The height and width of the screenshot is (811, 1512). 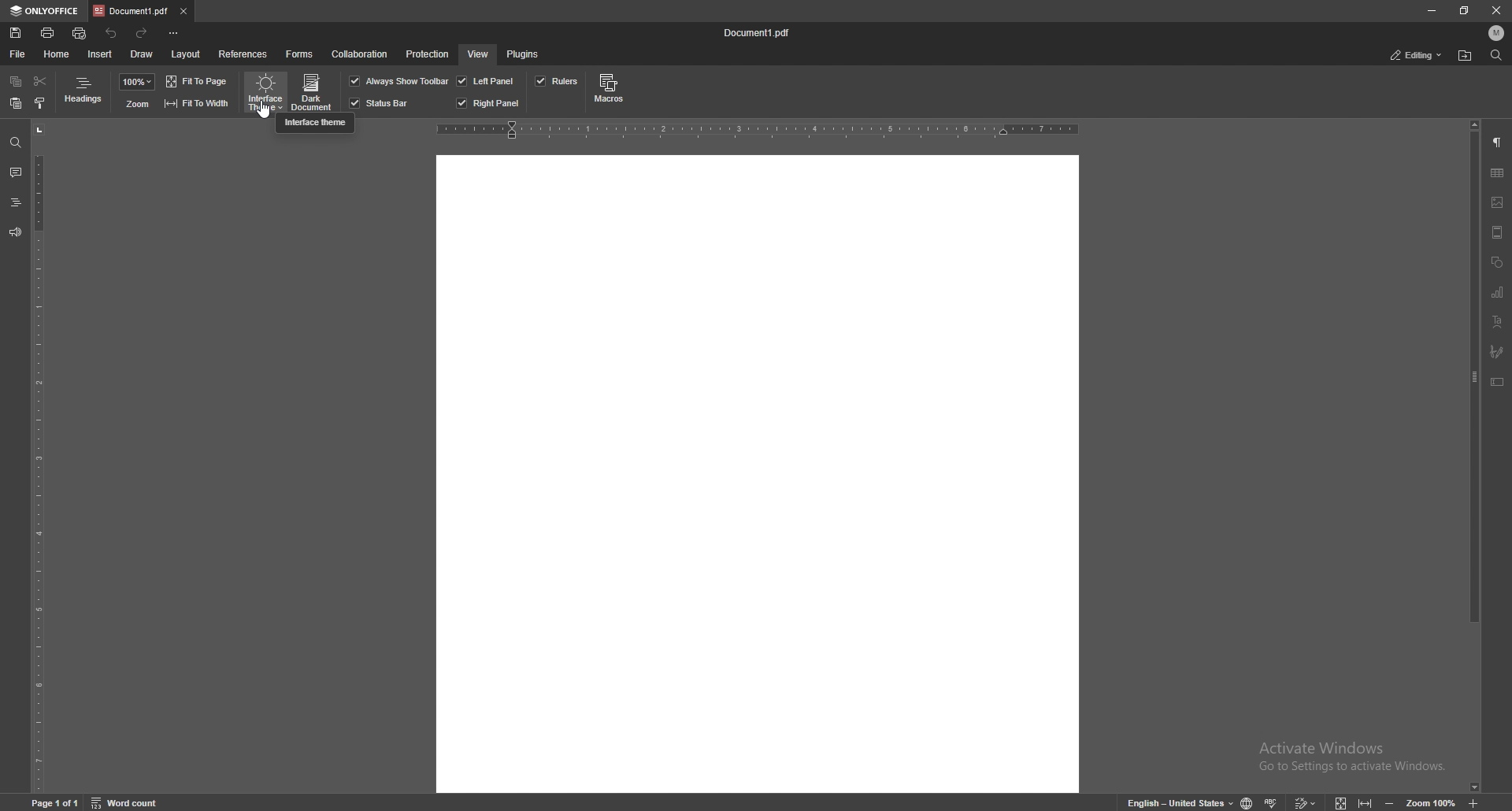 What do you see at coordinates (197, 104) in the screenshot?
I see `fit to width` at bounding box center [197, 104].